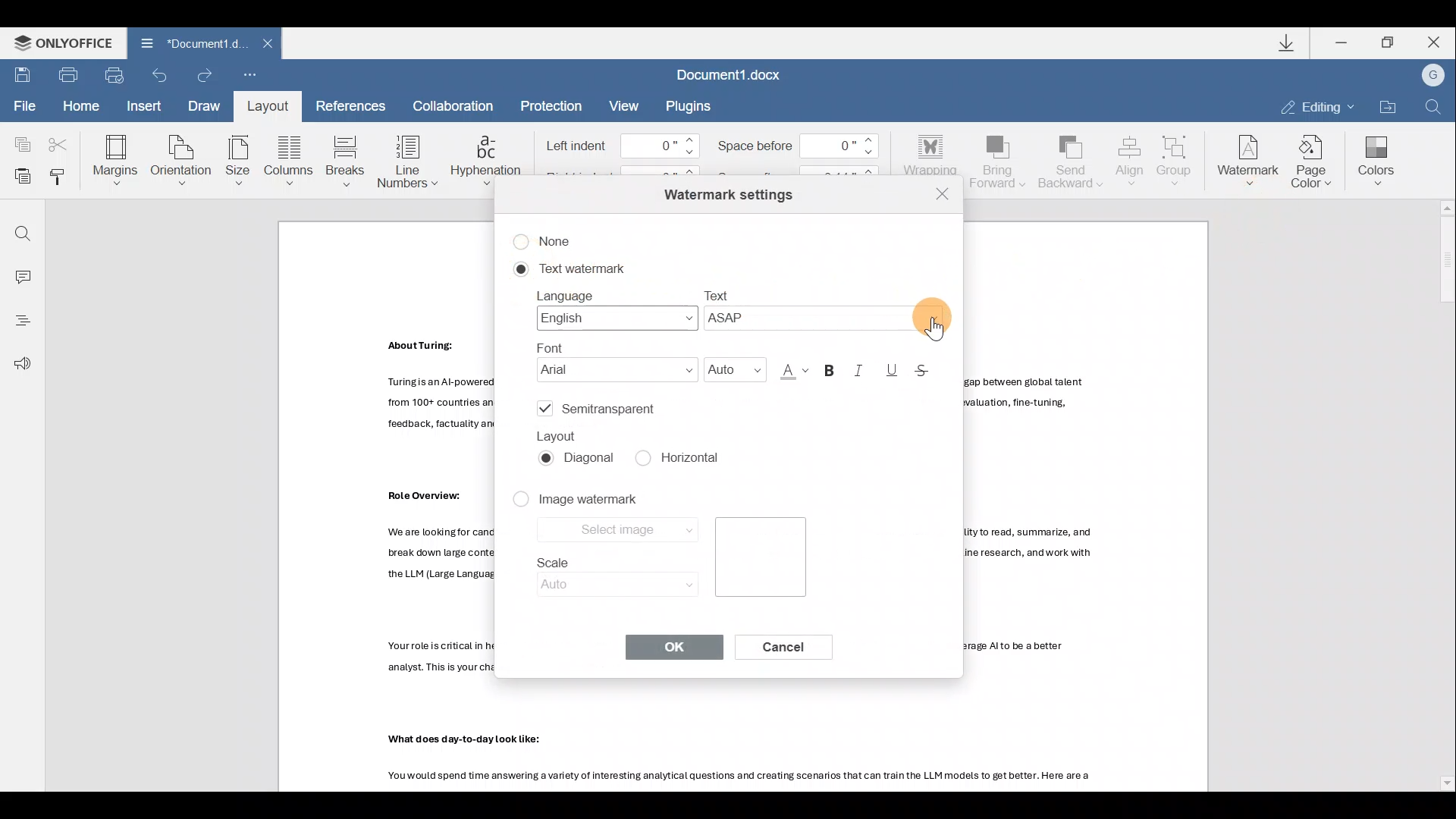 The height and width of the screenshot is (819, 1456). What do you see at coordinates (202, 74) in the screenshot?
I see `Redo` at bounding box center [202, 74].